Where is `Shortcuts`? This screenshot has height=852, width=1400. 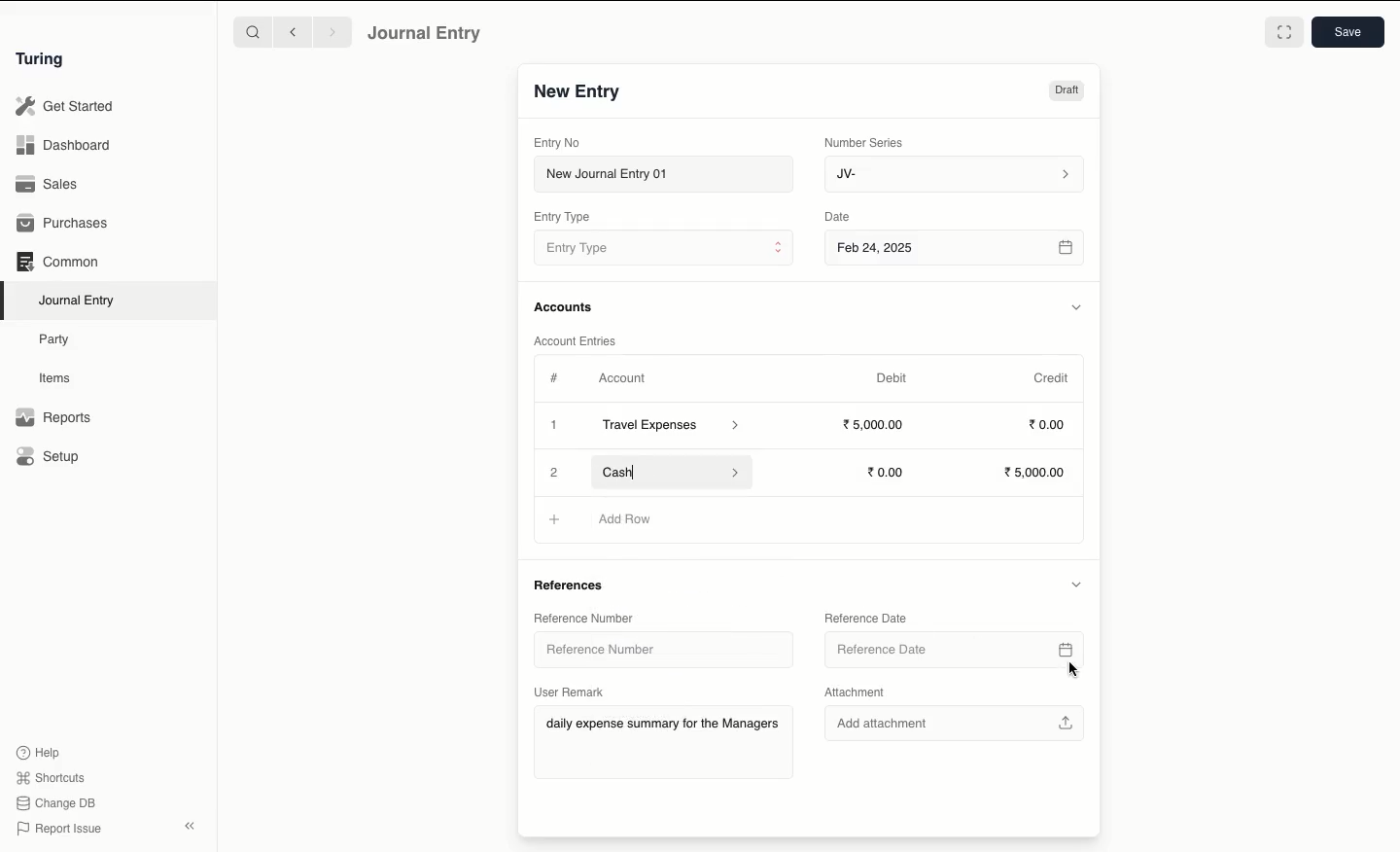
Shortcuts is located at coordinates (53, 778).